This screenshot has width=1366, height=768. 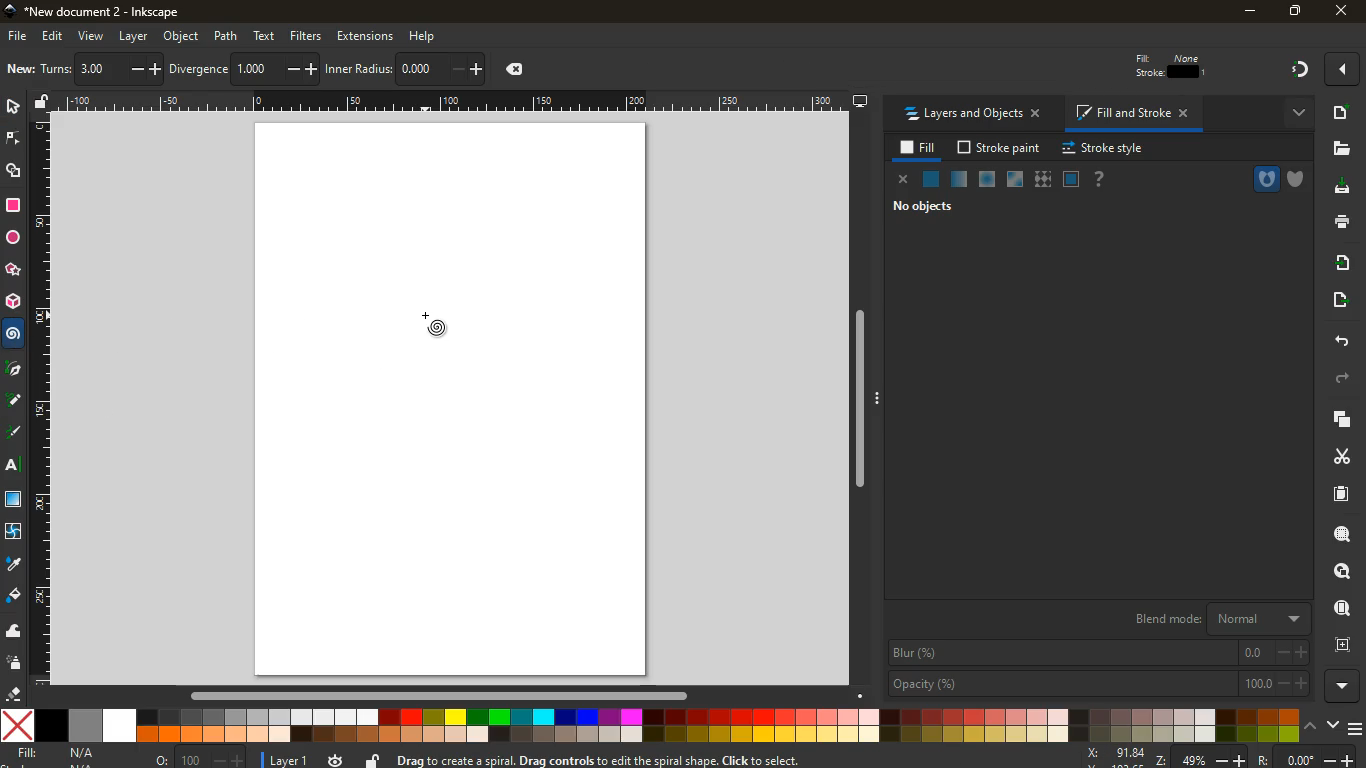 What do you see at coordinates (13, 334) in the screenshot?
I see `spiral` at bounding box center [13, 334].